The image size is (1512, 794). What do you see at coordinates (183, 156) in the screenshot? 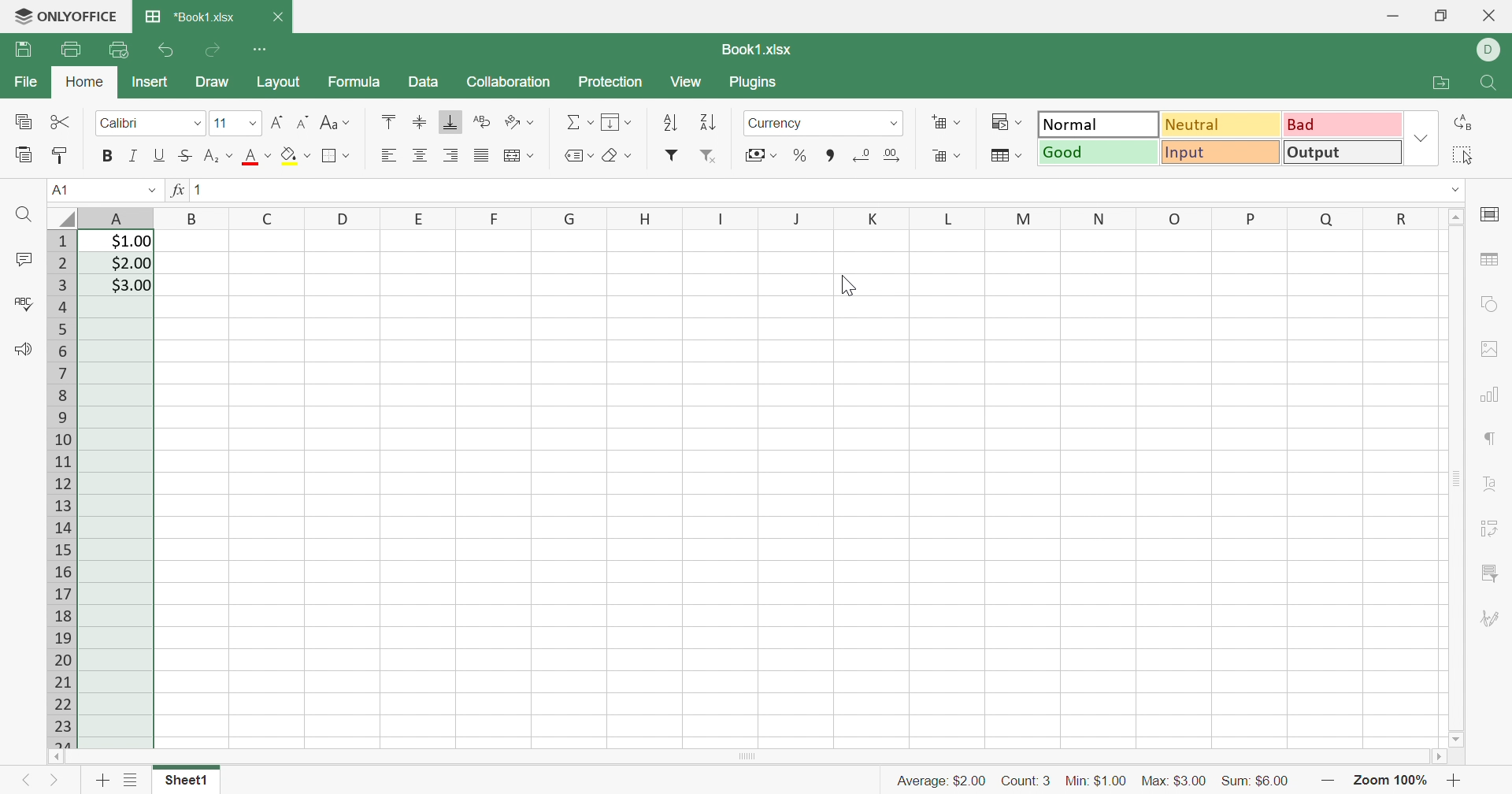
I see `Strikethrough` at bounding box center [183, 156].